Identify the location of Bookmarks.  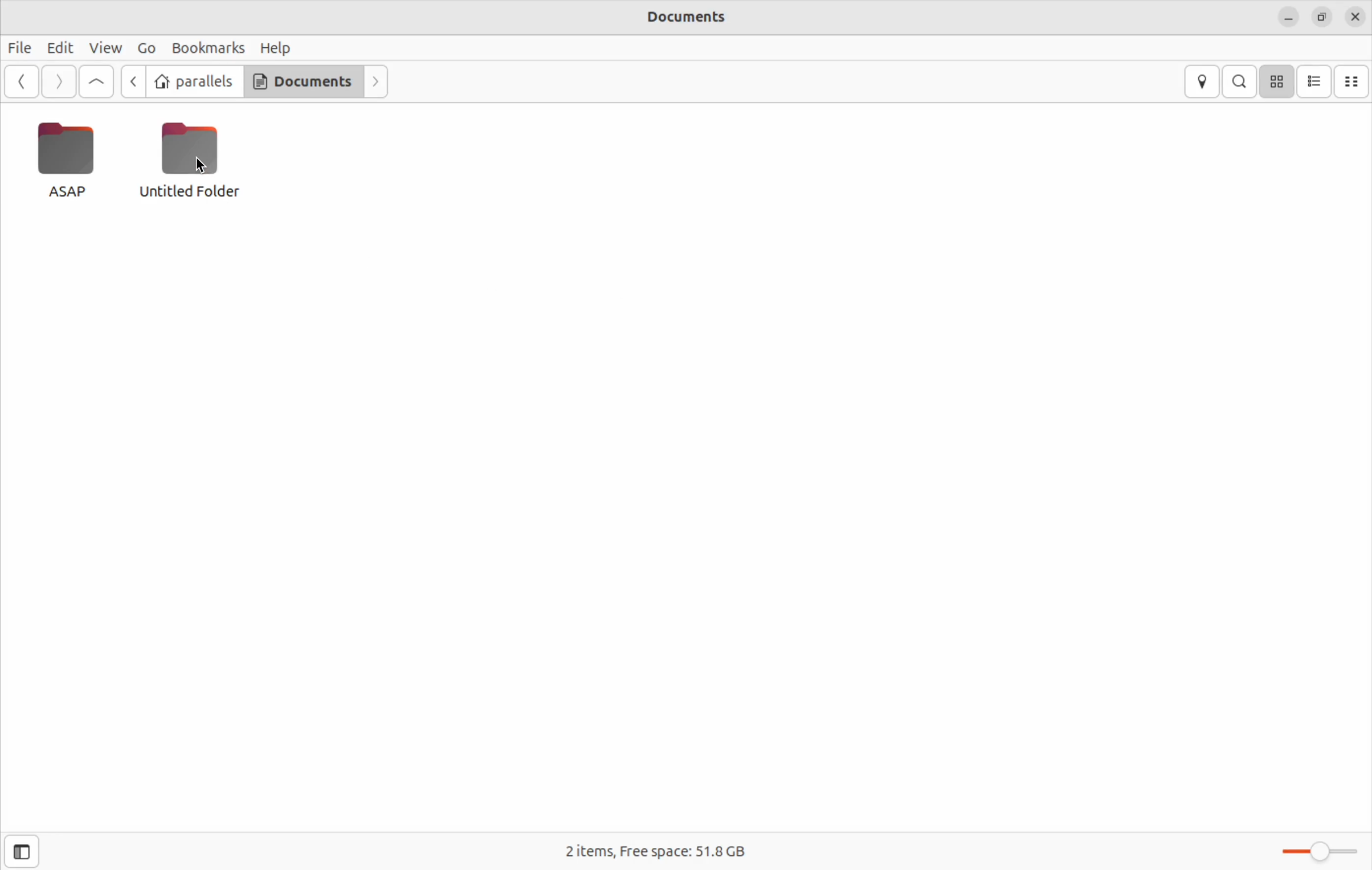
(207, 46).